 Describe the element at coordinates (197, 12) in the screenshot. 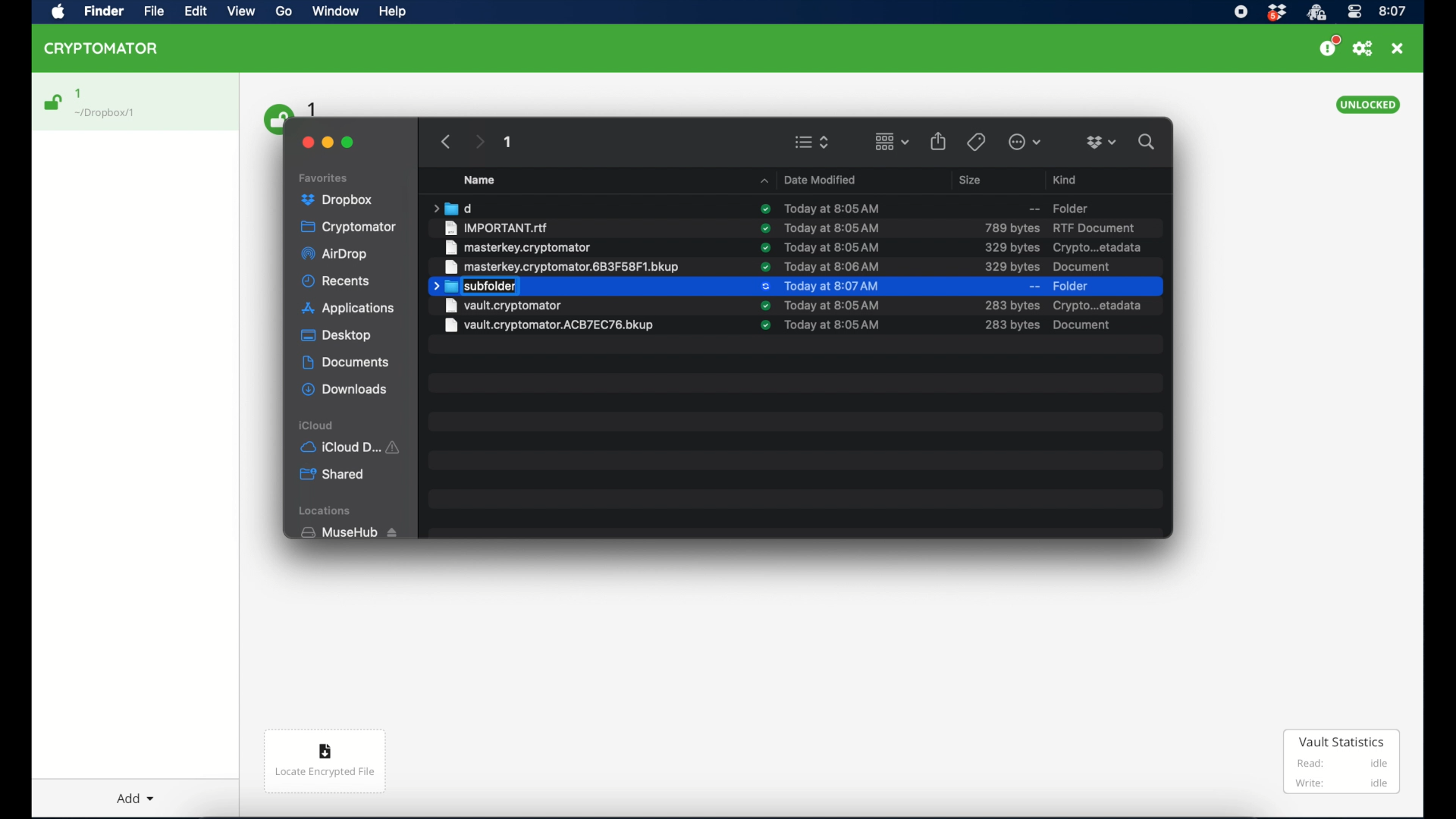

I see `Edit` at that location.